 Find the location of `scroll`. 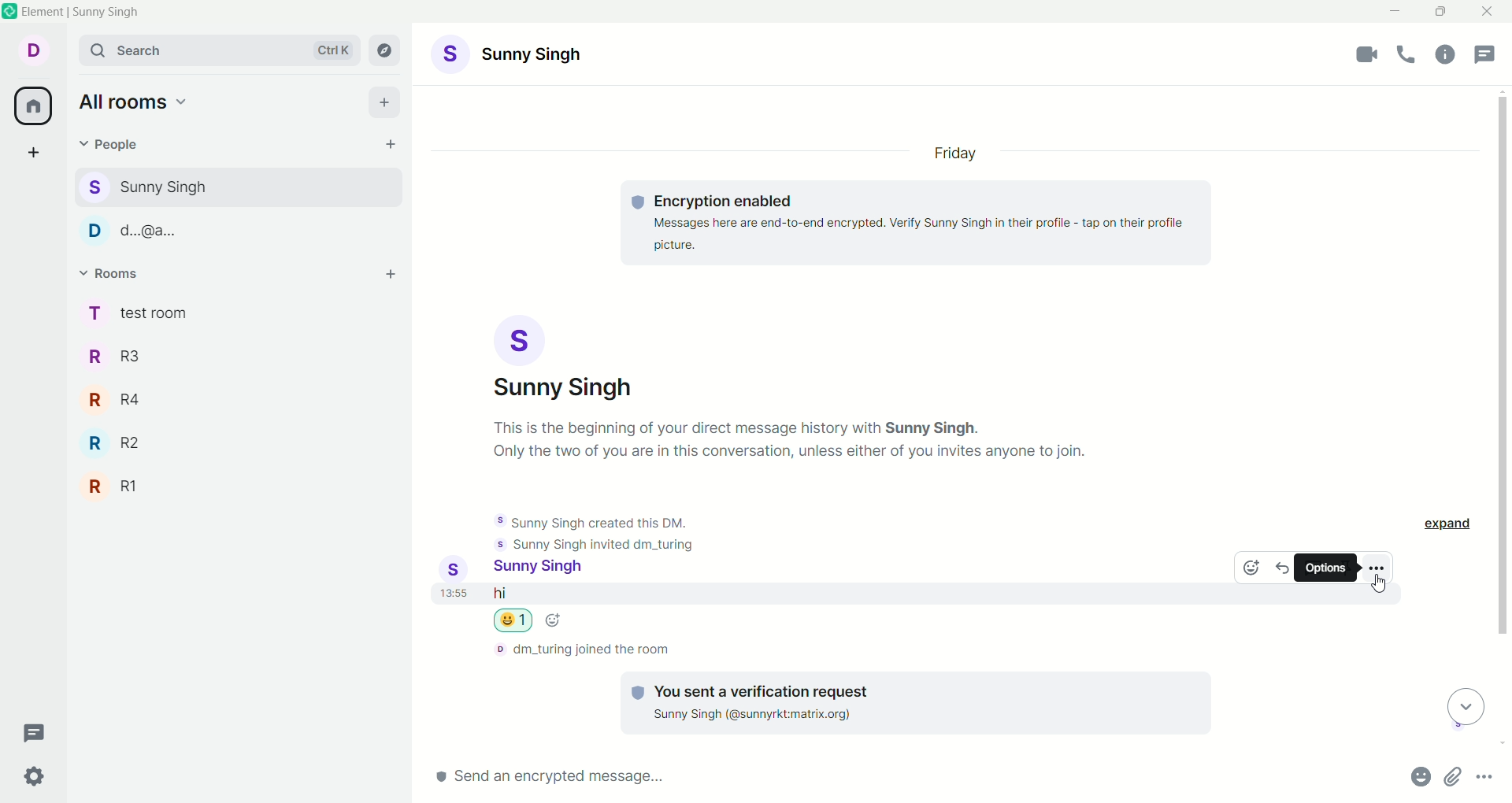

scroll is located at coordinates (1462, 708).